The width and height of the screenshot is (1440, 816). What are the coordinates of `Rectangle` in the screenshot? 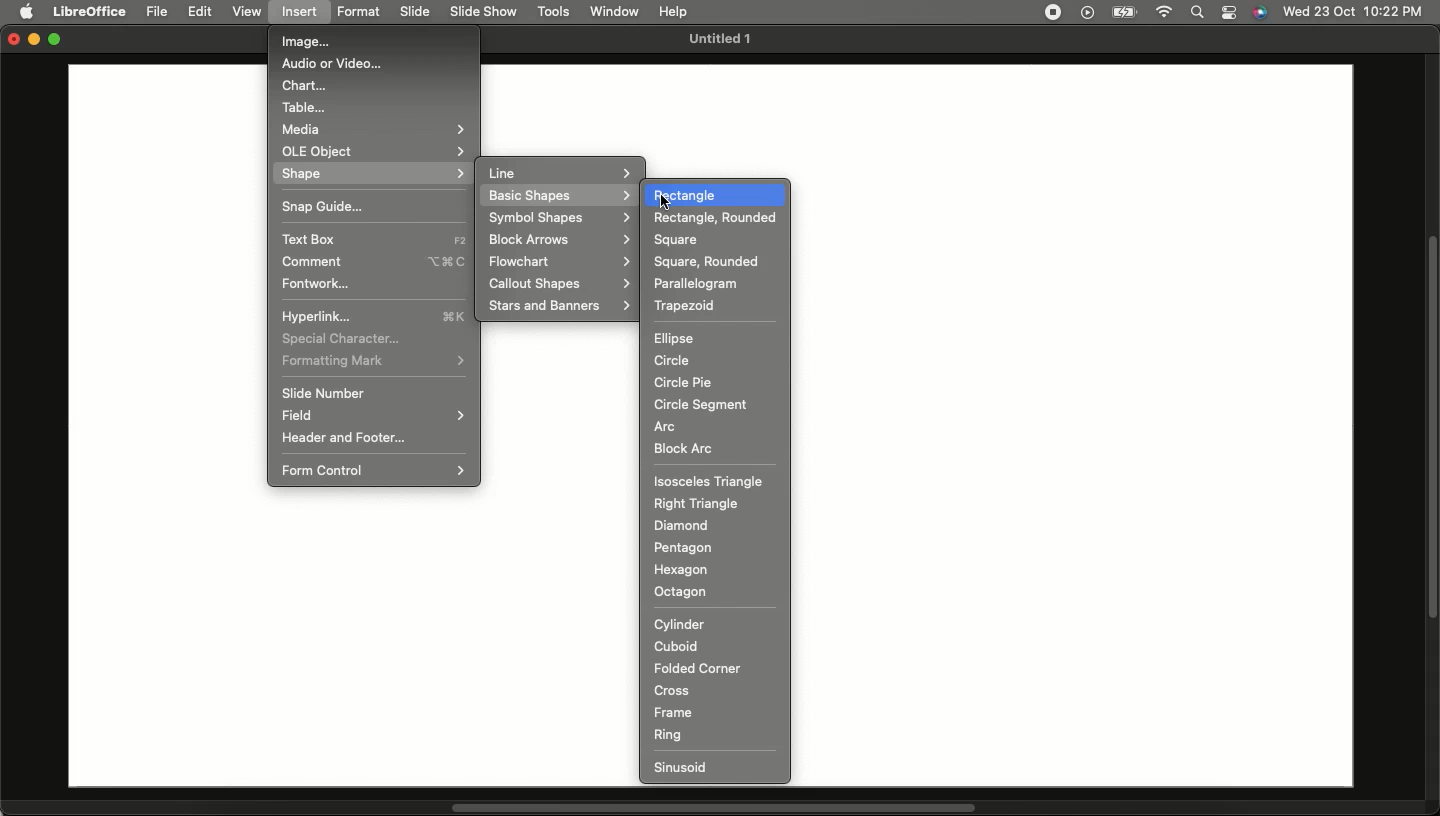 It's located at (718, 194).